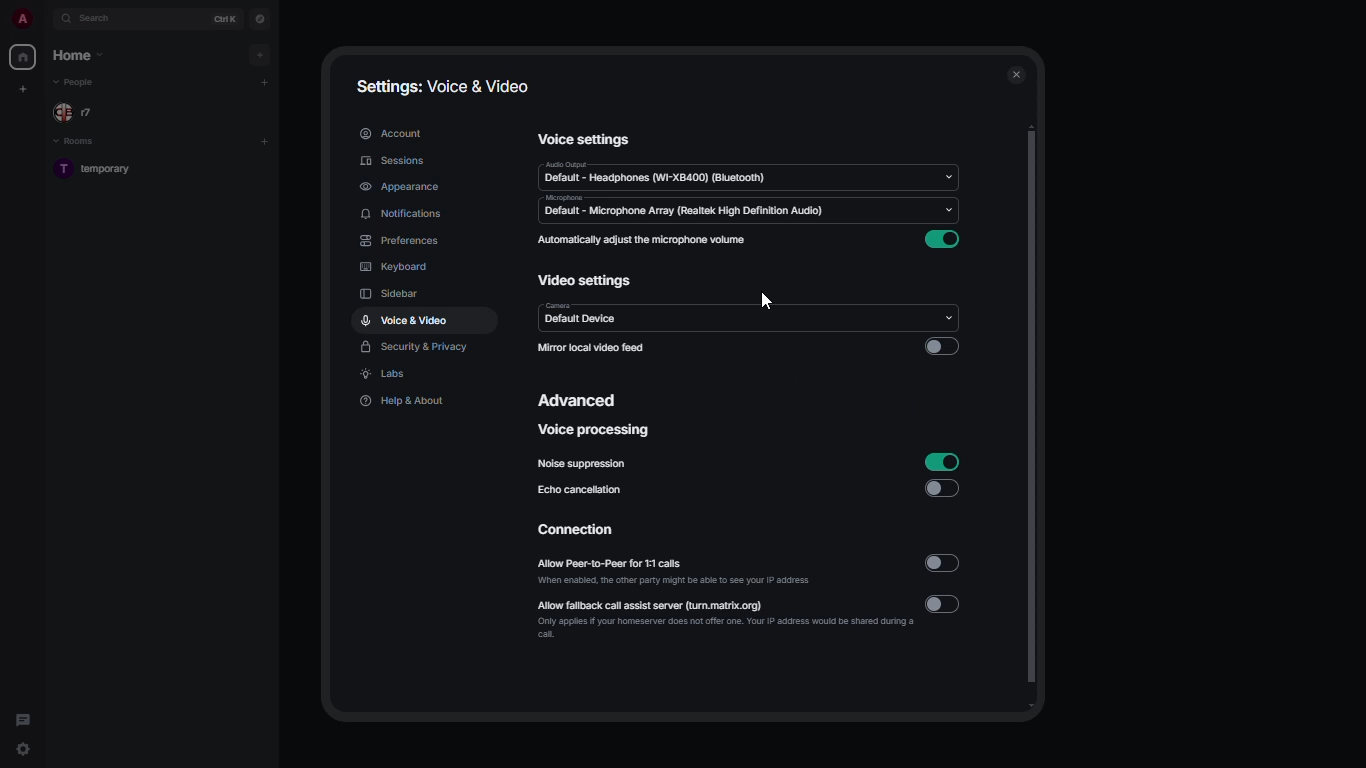  What do you see at coordinates (941, 460) in the screenshot?
I see `enabled` at bounding box center [941, 460].